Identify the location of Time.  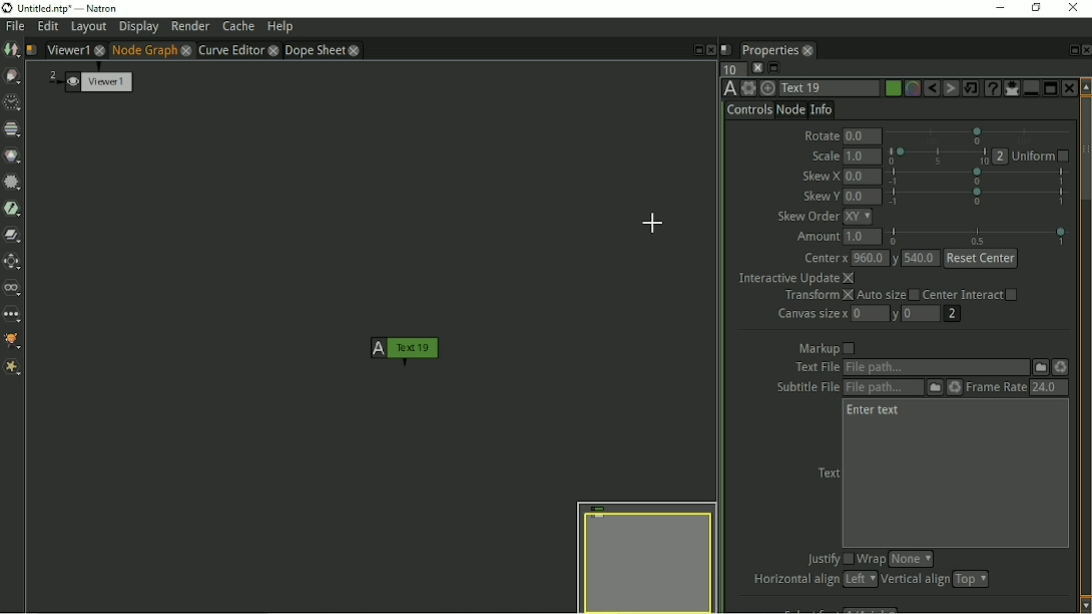
(12, 103).